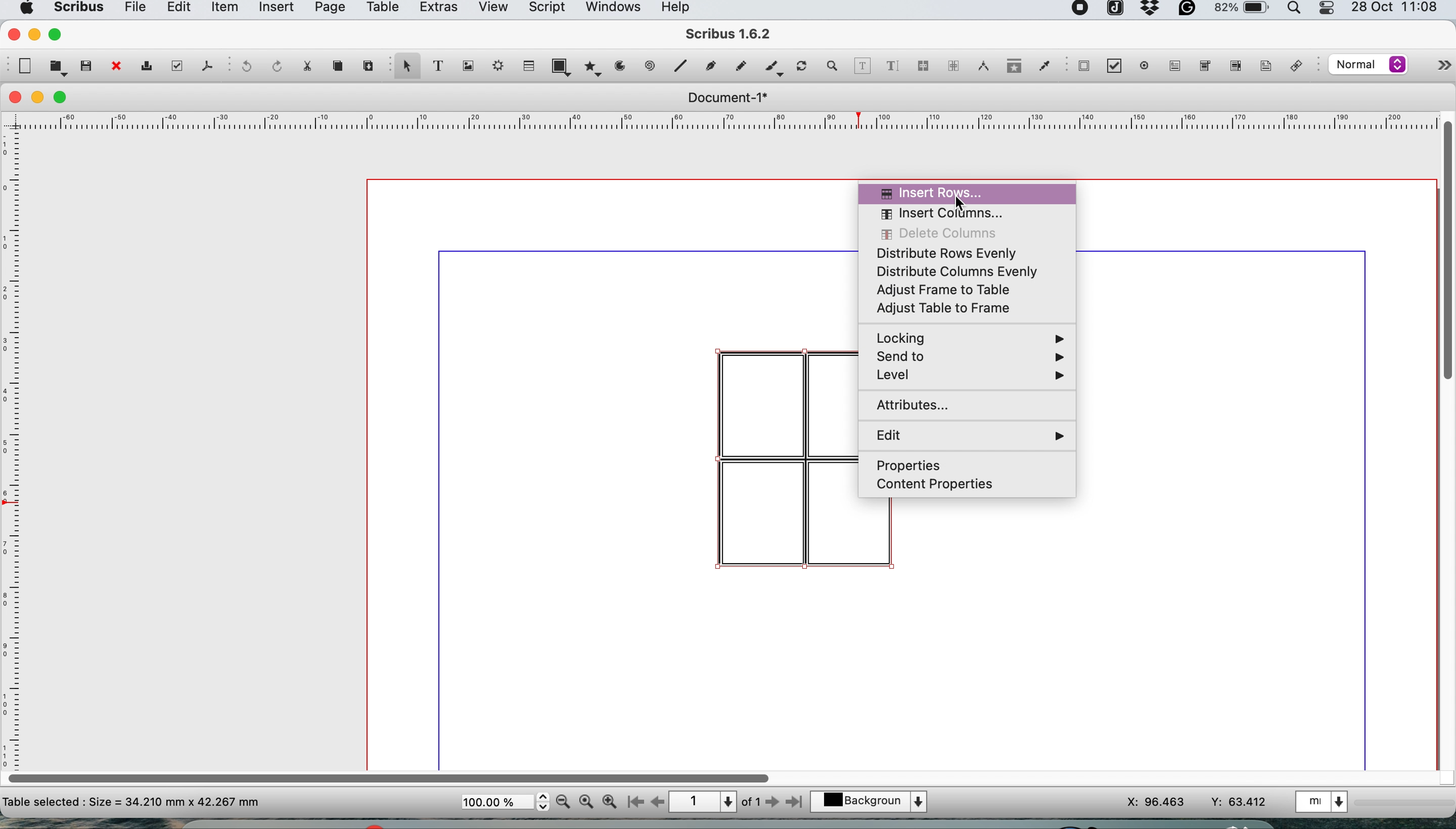 The width and height of the screenshot is (1456, 829). What do you see at coordinates (963, 203) in the screenshot?
I see `cursor` at bounding box center [963, 203].